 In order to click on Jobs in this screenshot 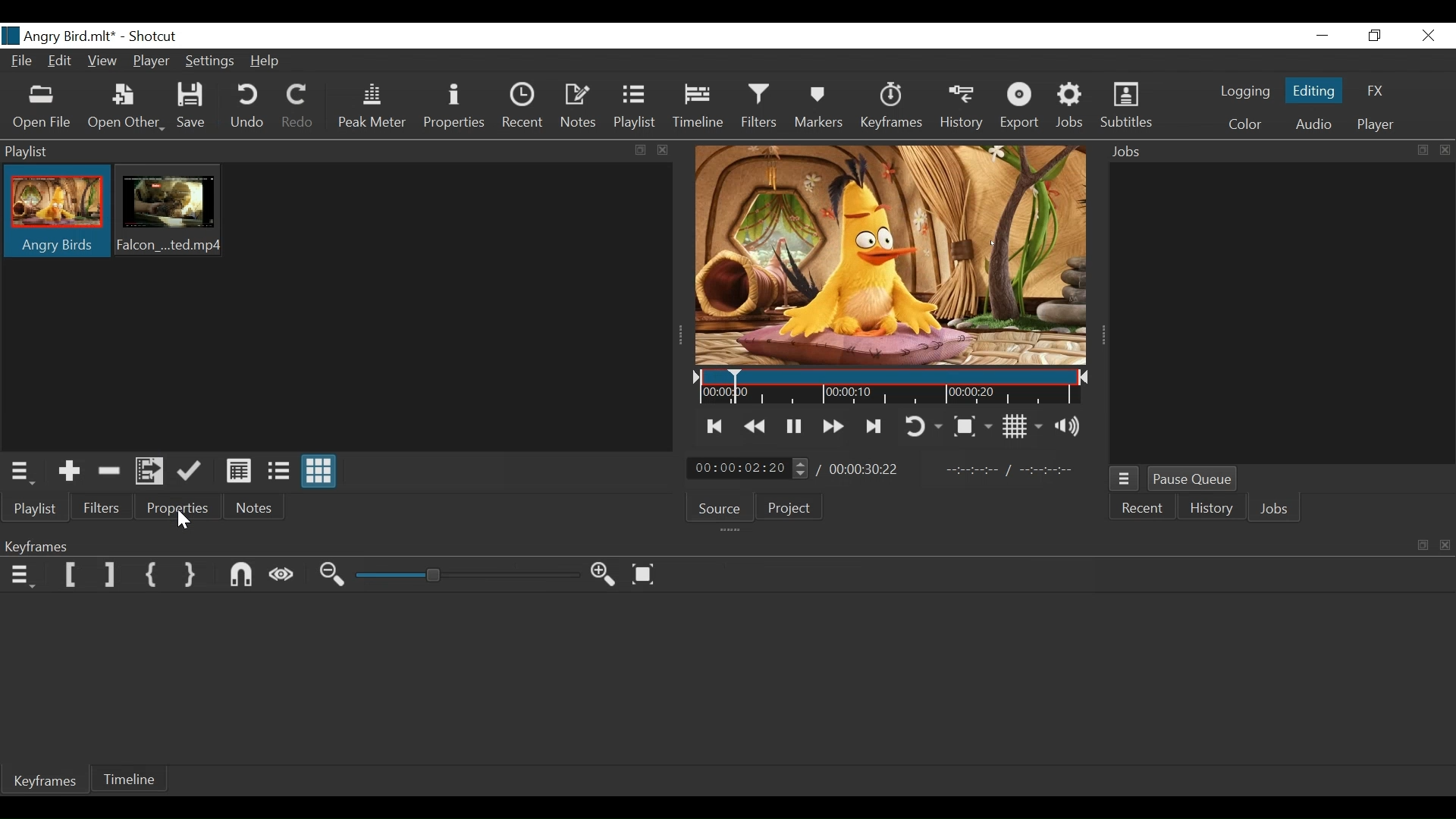, I will do `click(1276, 509)`.